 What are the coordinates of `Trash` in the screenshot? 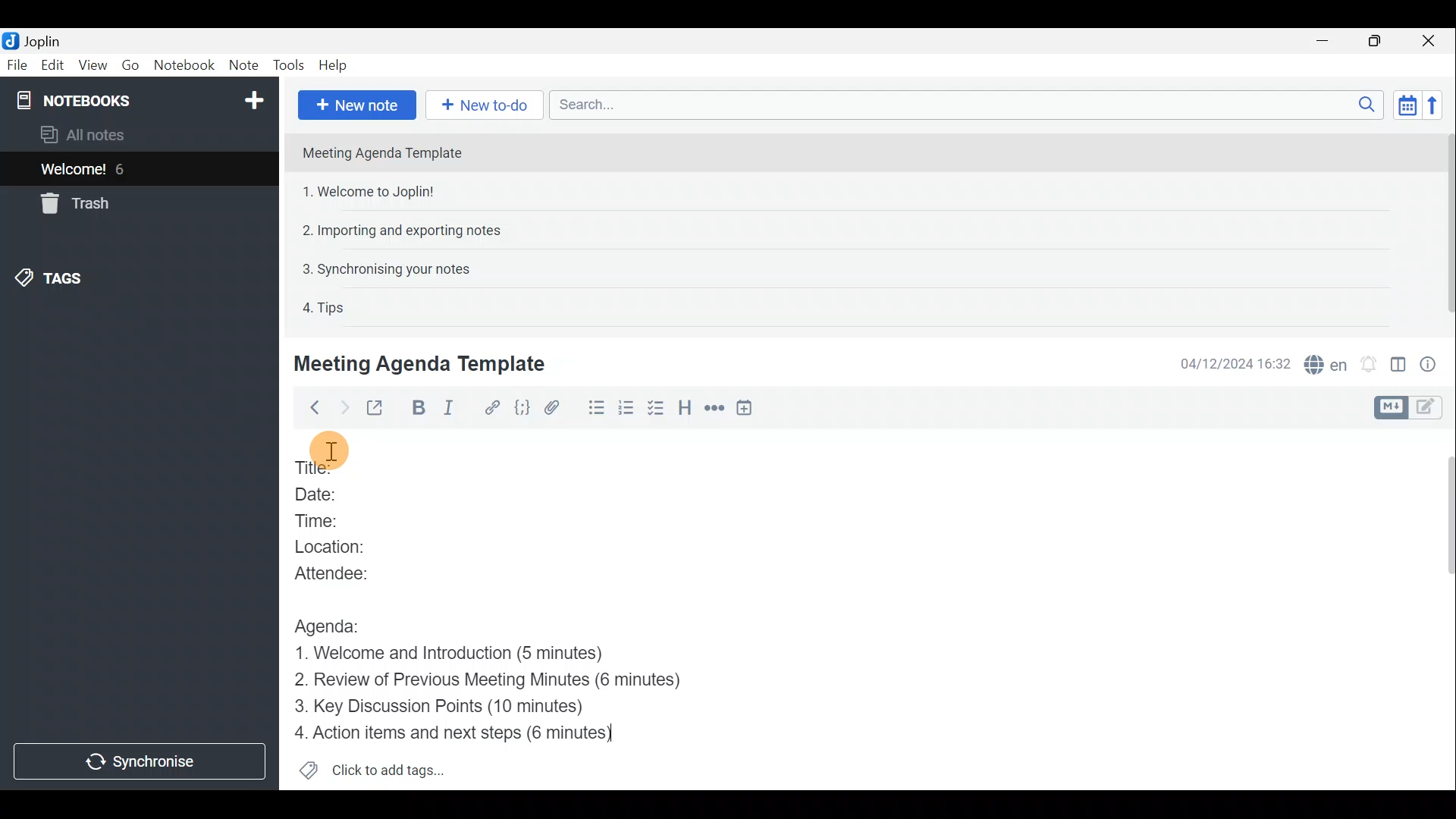 It's located at (72, 203).